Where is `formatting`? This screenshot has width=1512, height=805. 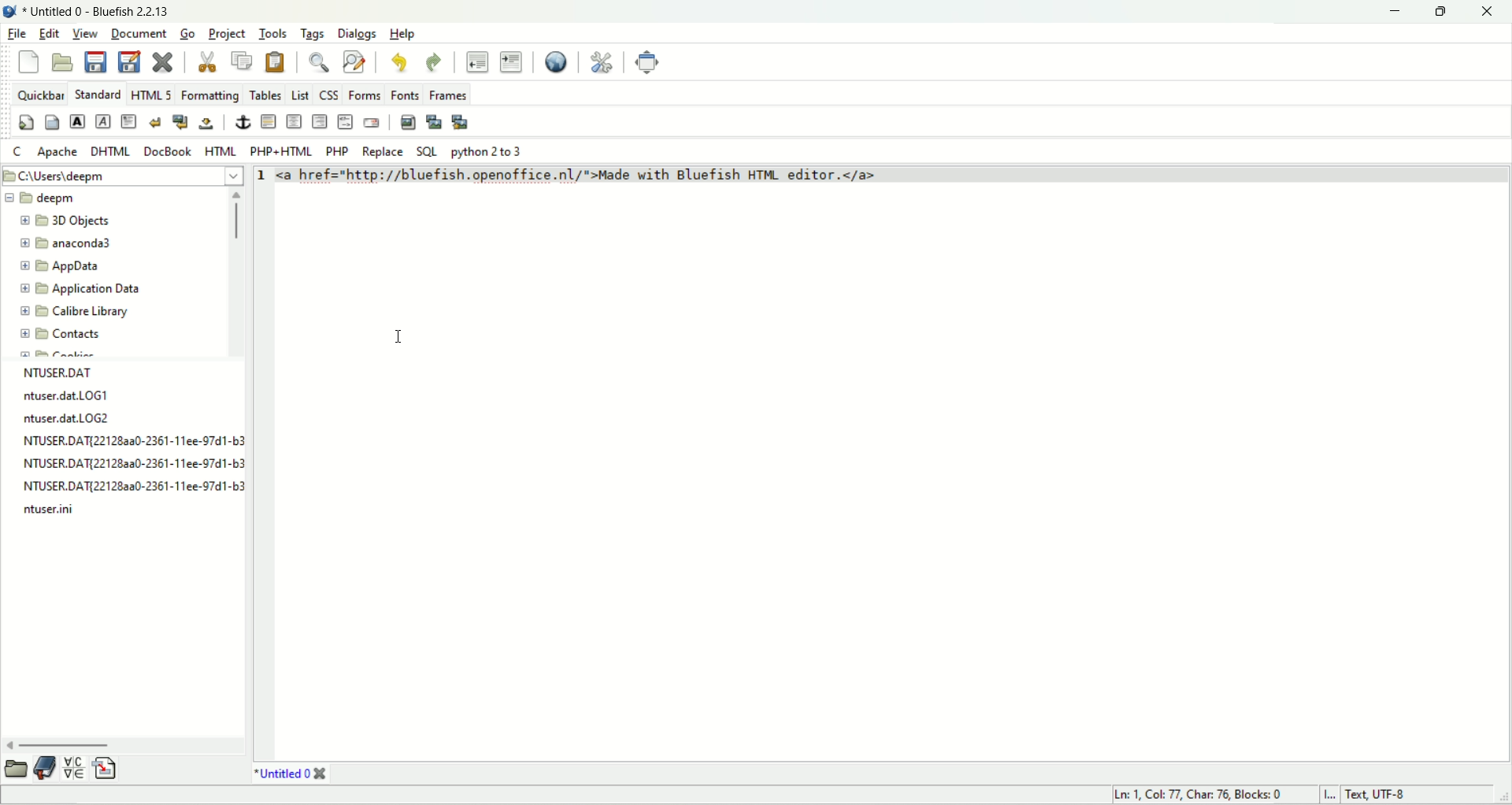 formatting is located at coordinates (209, 95).